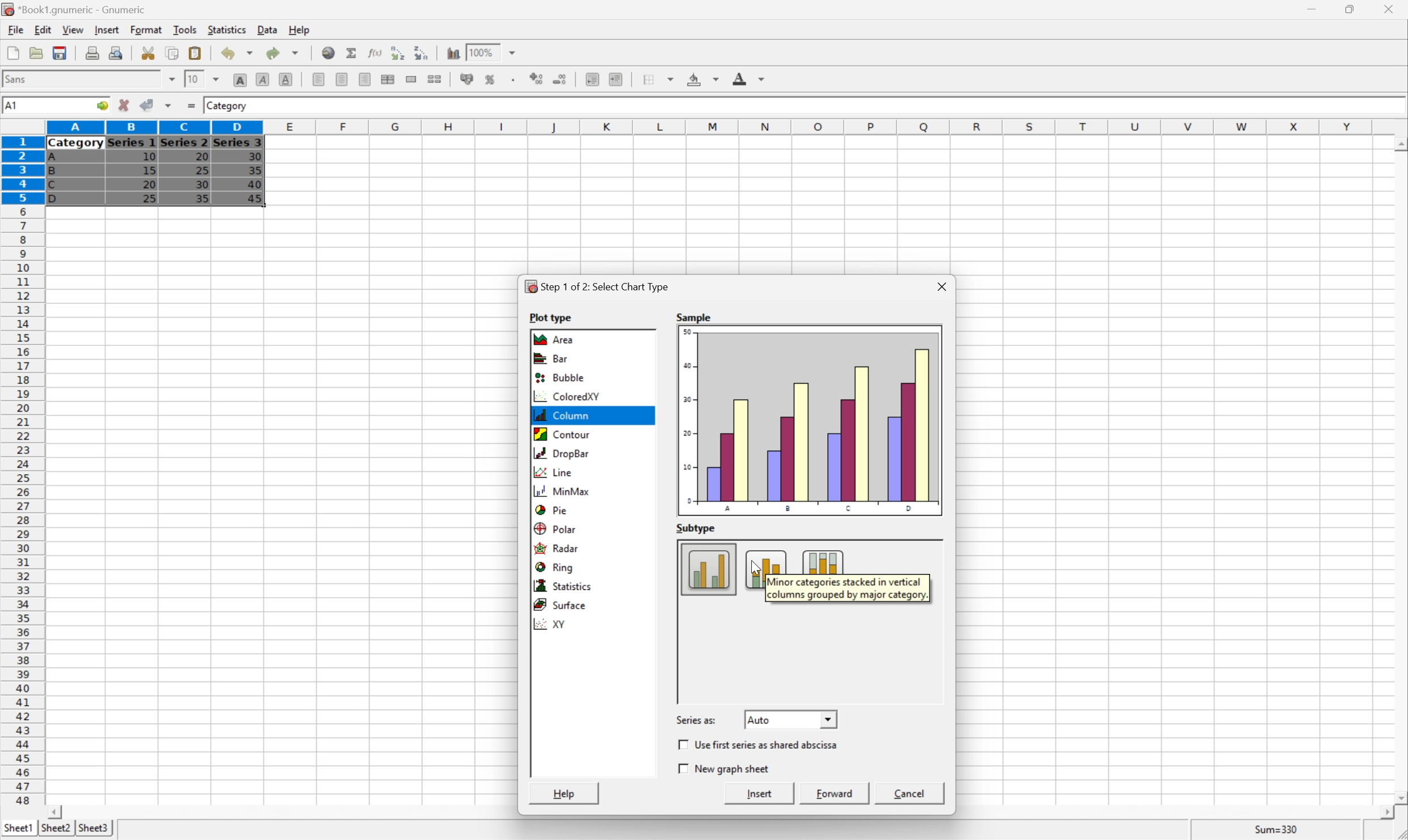 Image resolution: width=1408 pixels, height=840 pixels. I want to click on Drop bar, so click(563, 453).